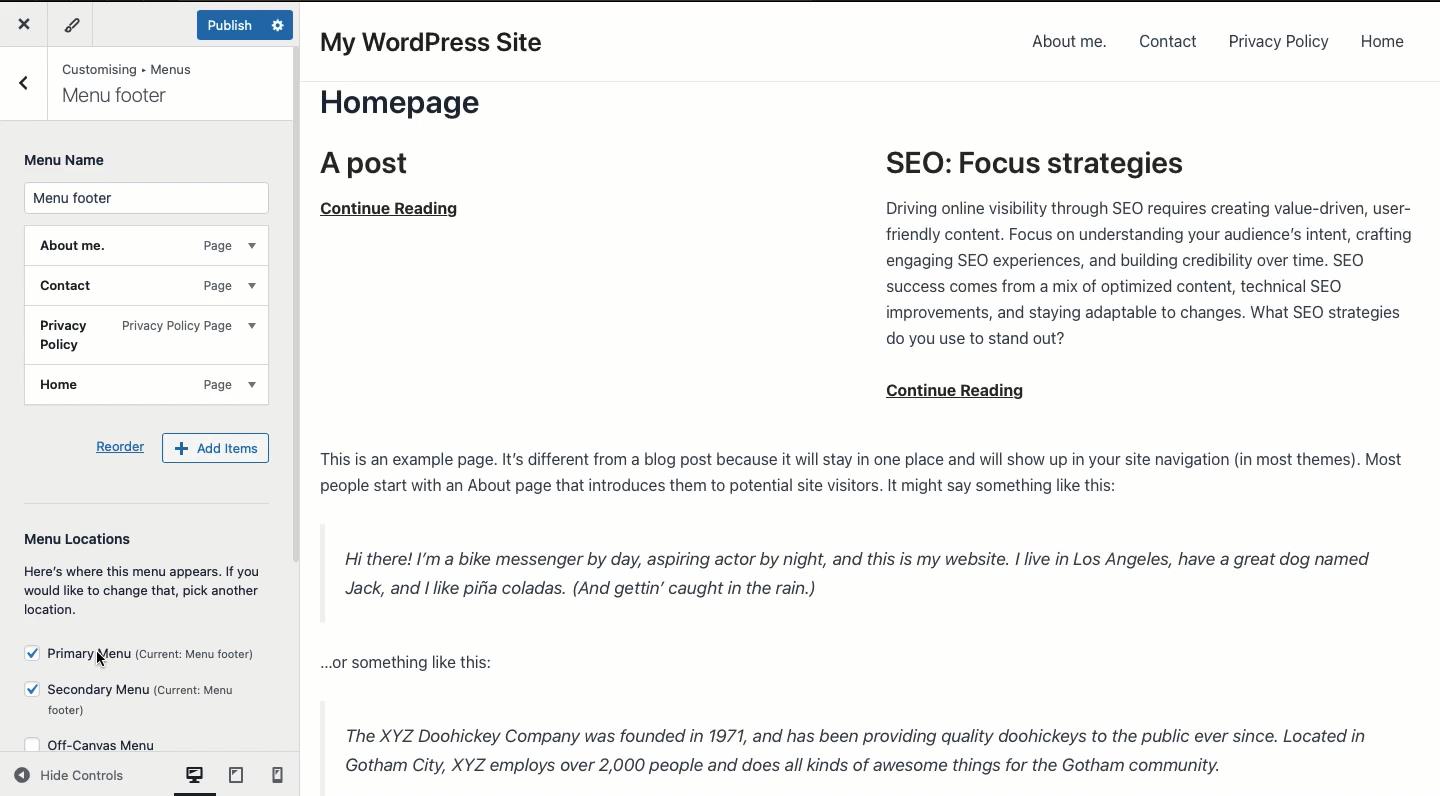 The height and width of the screenshot is (796, 1440). I want to click on Back, so click(25, 80).